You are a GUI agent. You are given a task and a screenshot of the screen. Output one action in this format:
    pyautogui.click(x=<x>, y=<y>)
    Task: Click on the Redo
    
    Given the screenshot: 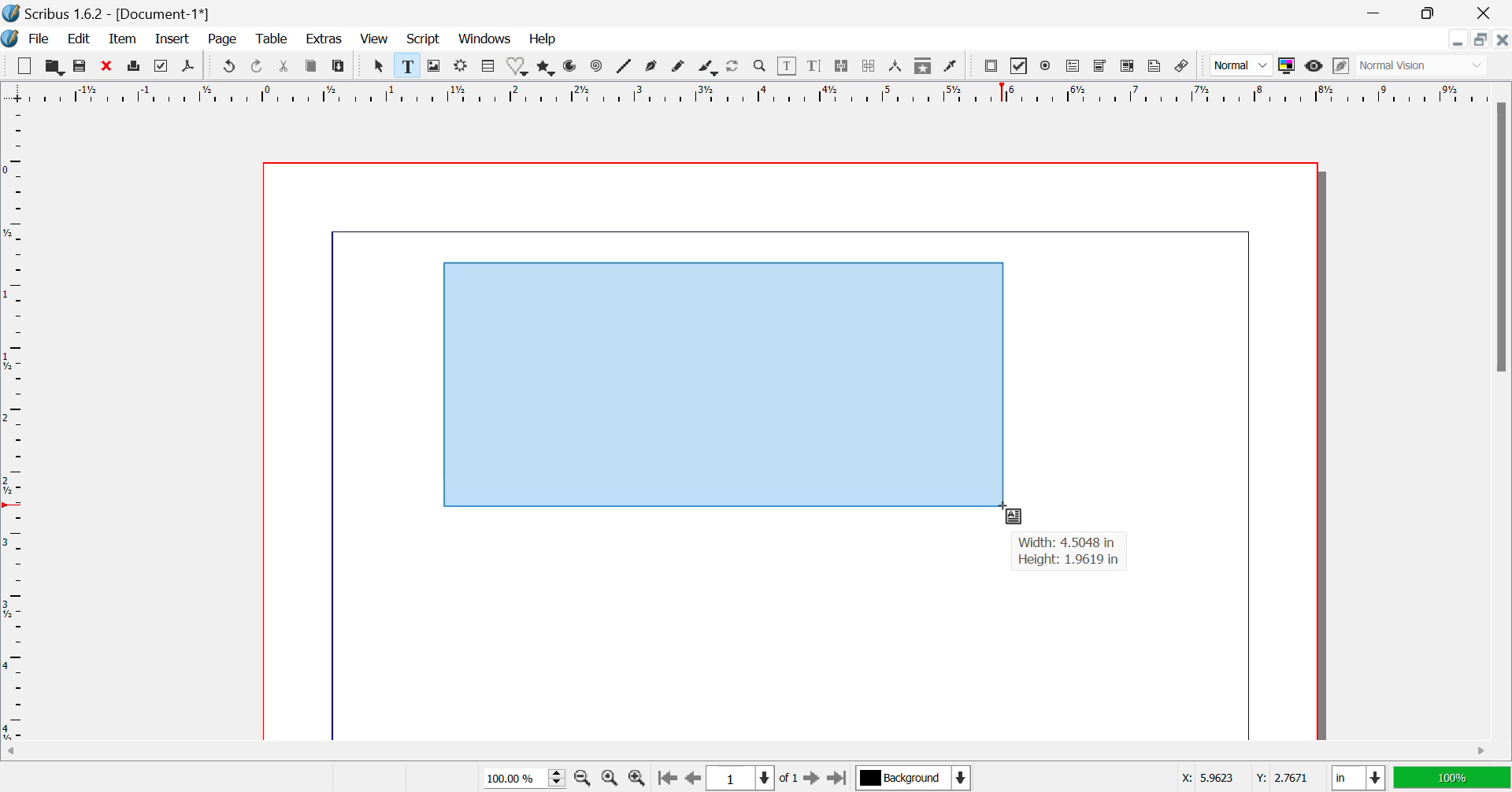 What is the action you would take?
    pyautogui.click(x=257, y=68)
    